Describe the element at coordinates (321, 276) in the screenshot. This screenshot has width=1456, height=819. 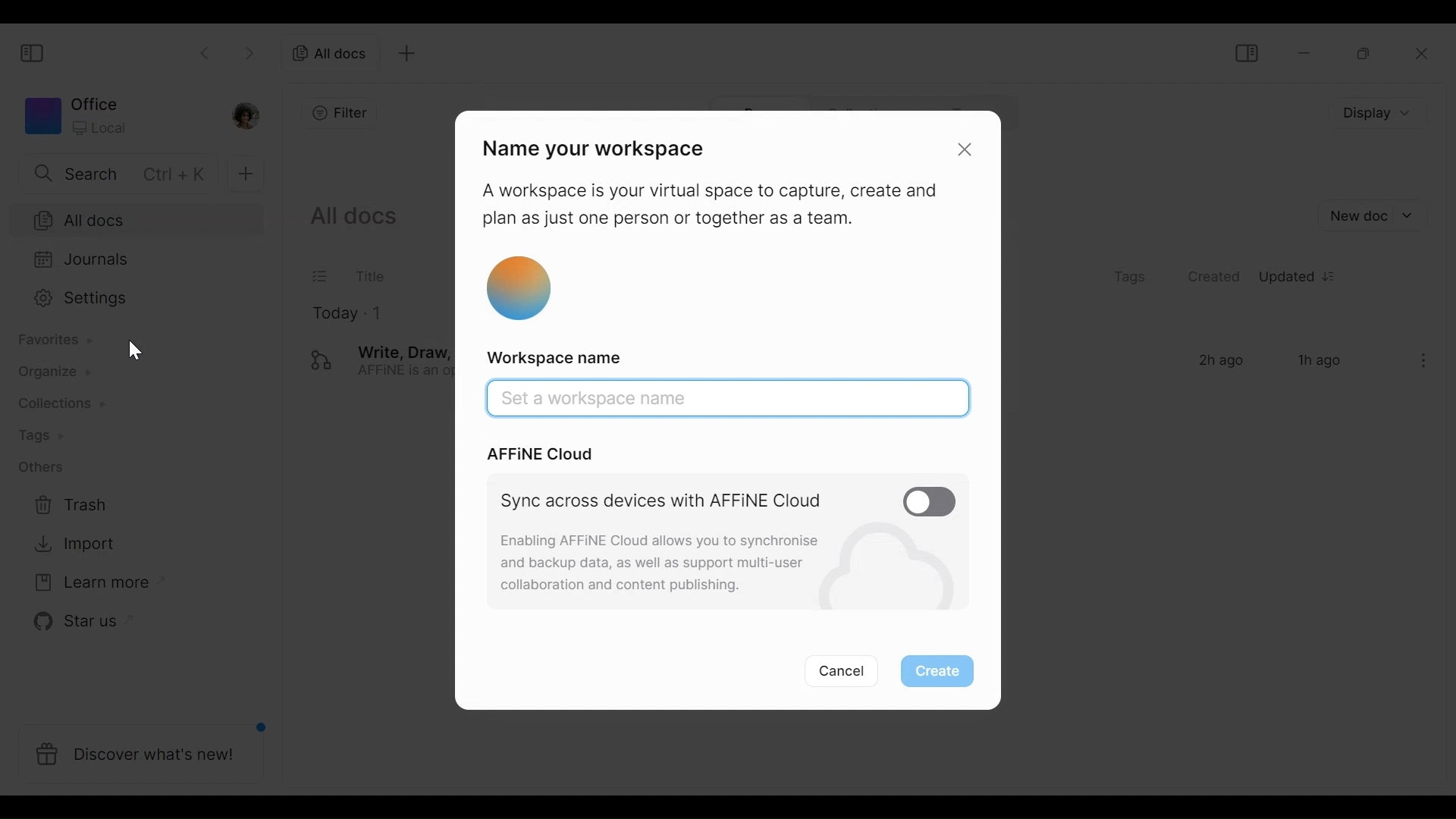
I see `Checklist` at that location.